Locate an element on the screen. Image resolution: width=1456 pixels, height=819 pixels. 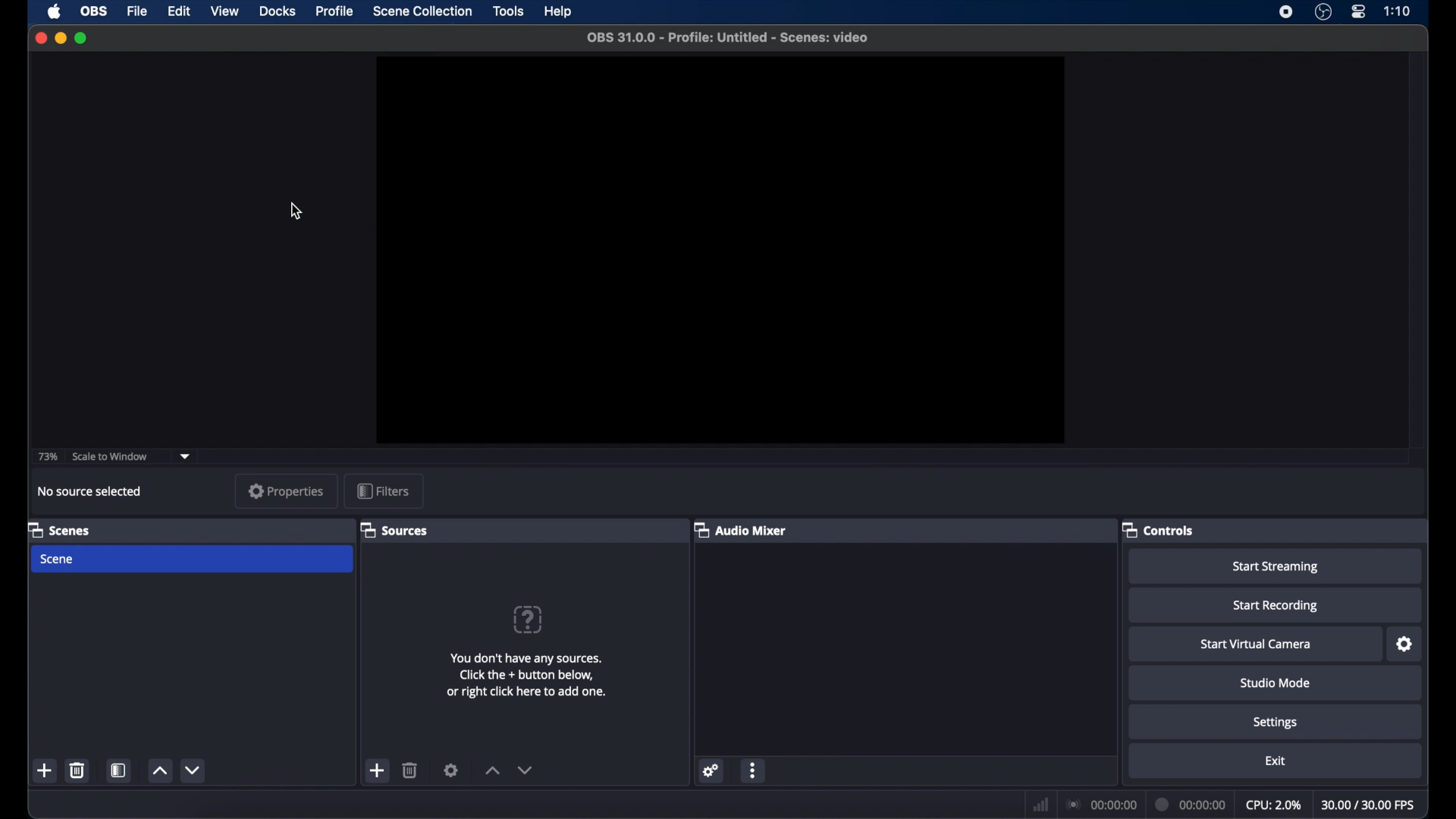
edit is located at coordinates (178, 10).